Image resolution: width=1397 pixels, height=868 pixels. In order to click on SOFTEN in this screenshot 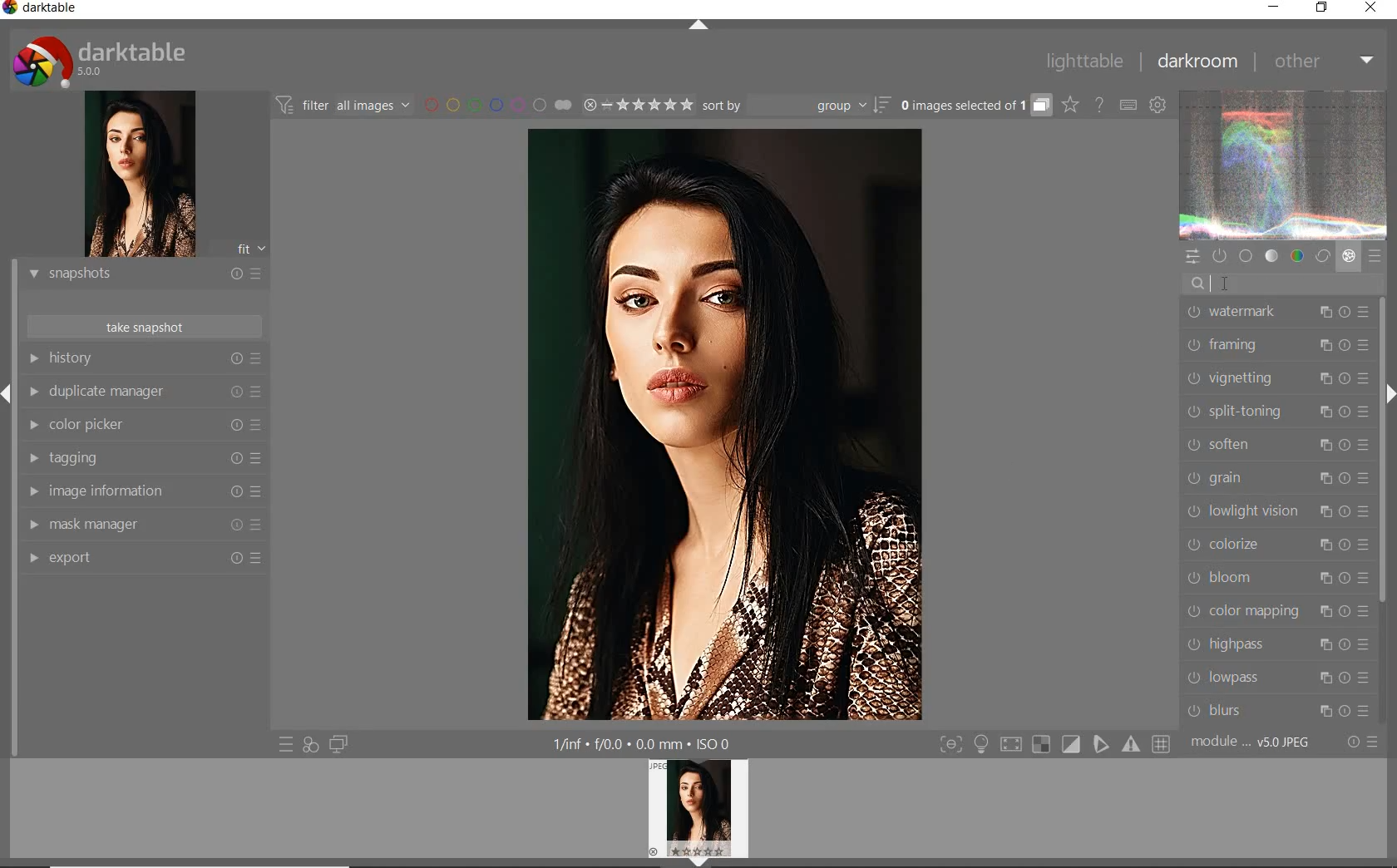, I will do `click(1276, 444)`.